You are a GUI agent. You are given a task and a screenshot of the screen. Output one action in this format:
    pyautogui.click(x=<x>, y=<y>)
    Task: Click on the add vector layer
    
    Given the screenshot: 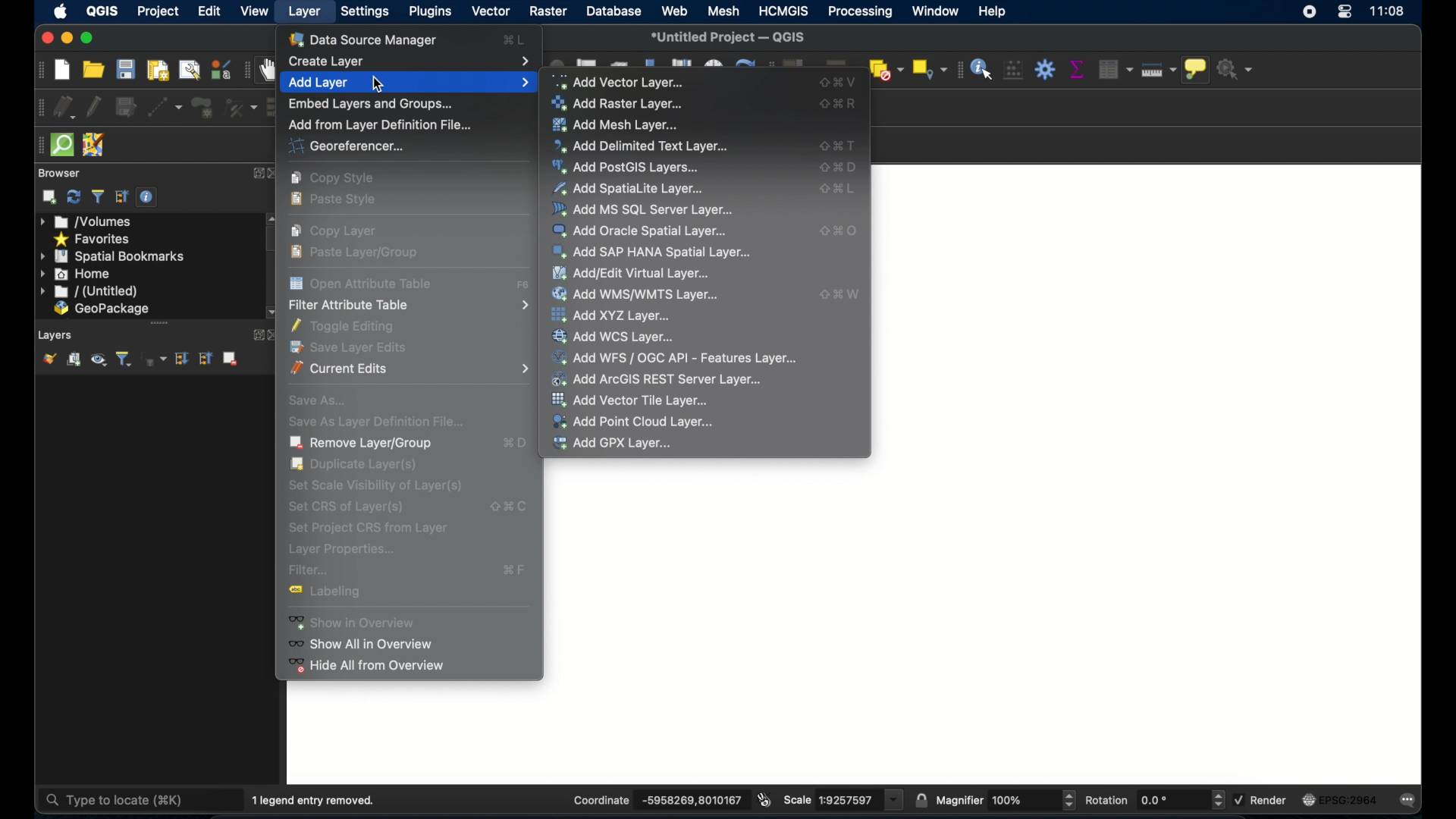 What is the action you would take?
    pyautogui.click(x=624, y=81)
    